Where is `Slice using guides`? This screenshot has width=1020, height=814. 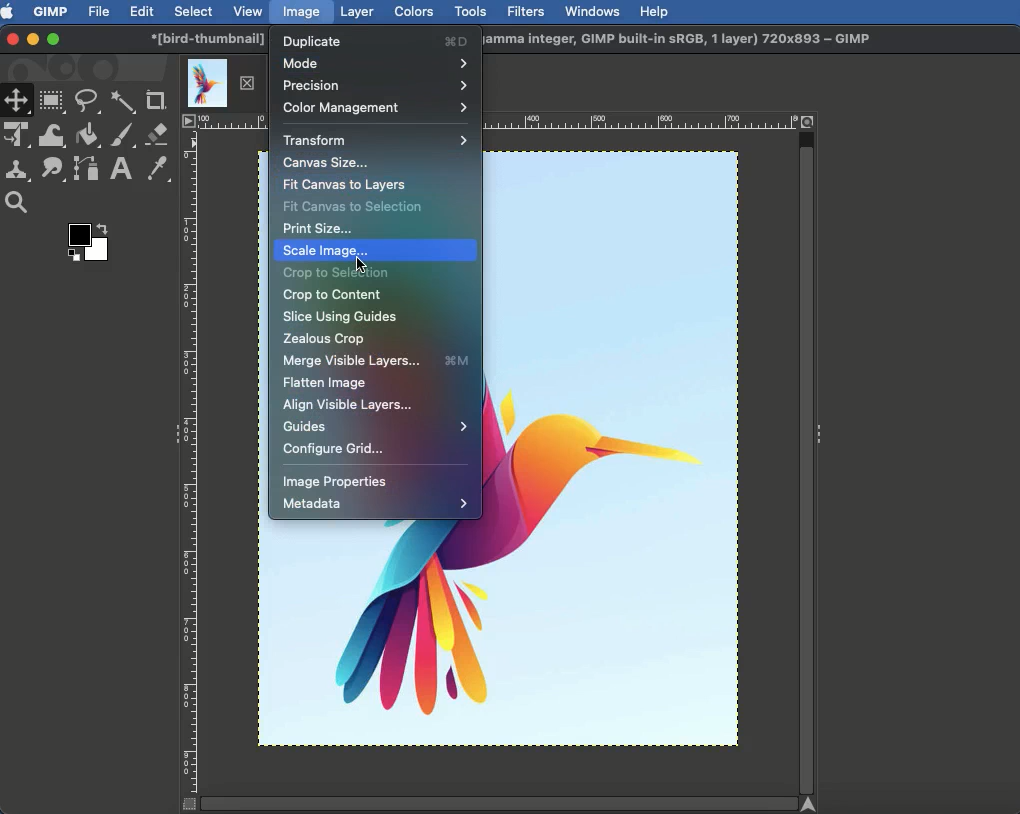 Slice using guides is located at coordinates (343, 318).